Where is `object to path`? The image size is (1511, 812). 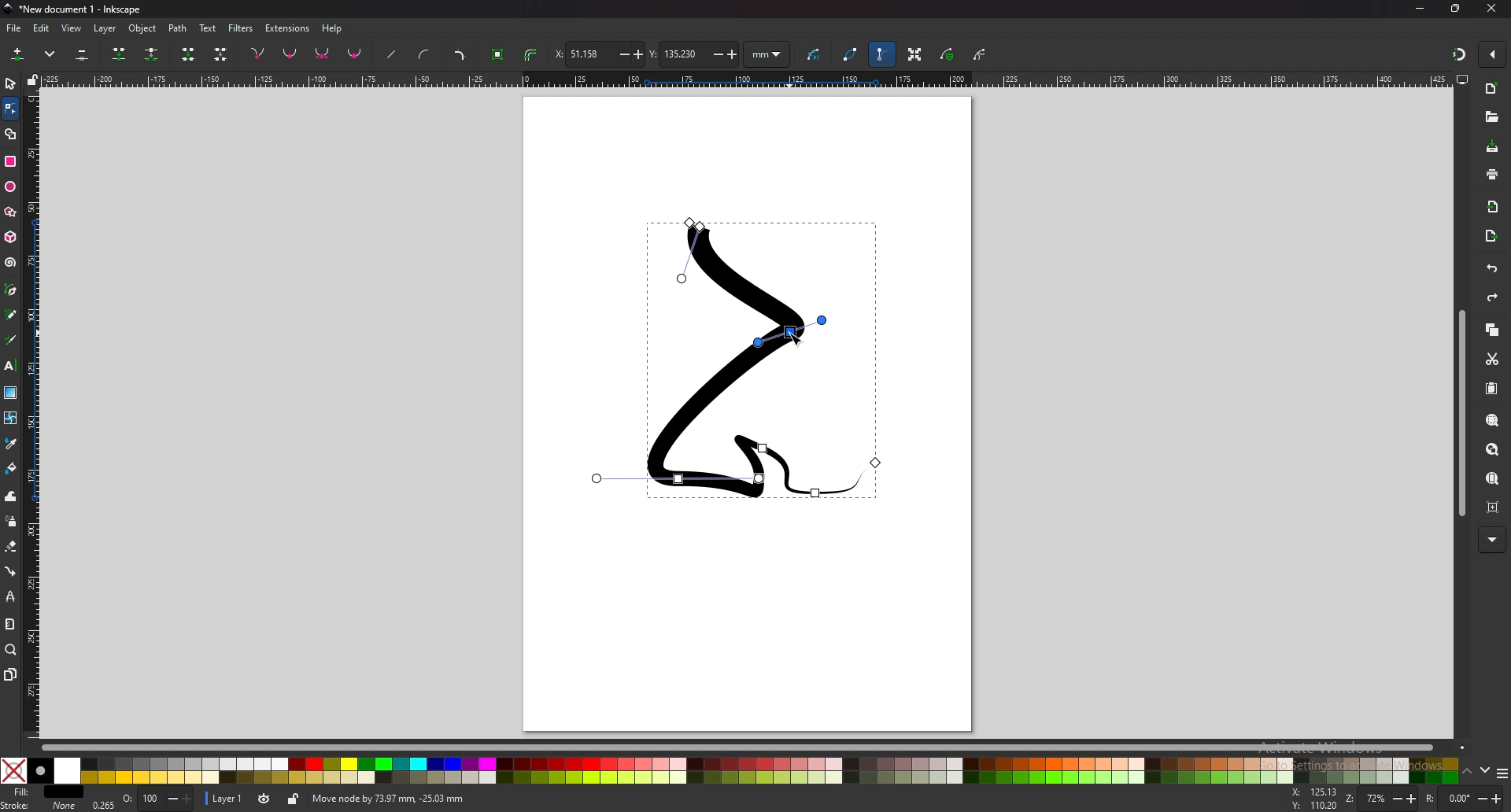 object to path is located at coordinates (500, 53).